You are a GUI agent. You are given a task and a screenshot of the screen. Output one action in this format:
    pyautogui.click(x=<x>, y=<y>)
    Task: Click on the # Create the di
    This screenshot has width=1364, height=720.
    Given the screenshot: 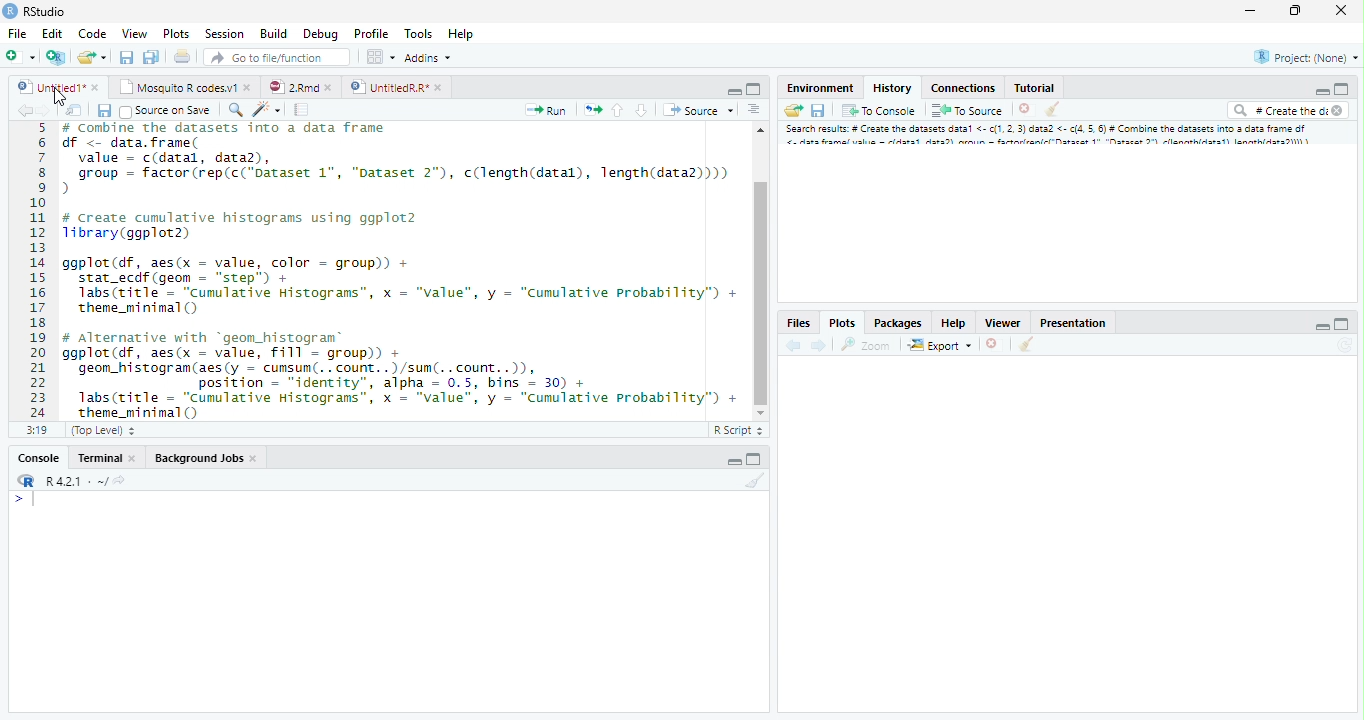 What is the action you would take?
    pyautogui.click(x=1286, y=112)
    